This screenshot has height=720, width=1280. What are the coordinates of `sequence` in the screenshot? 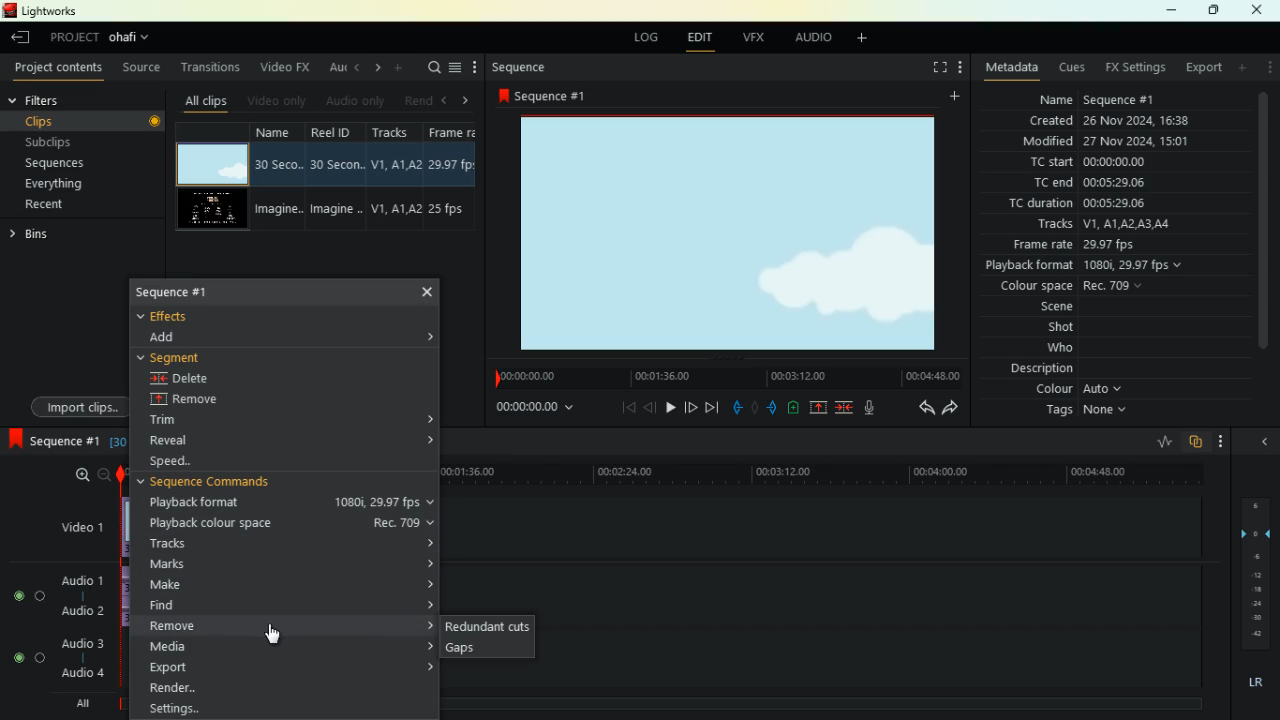 It's located at (53, 440).